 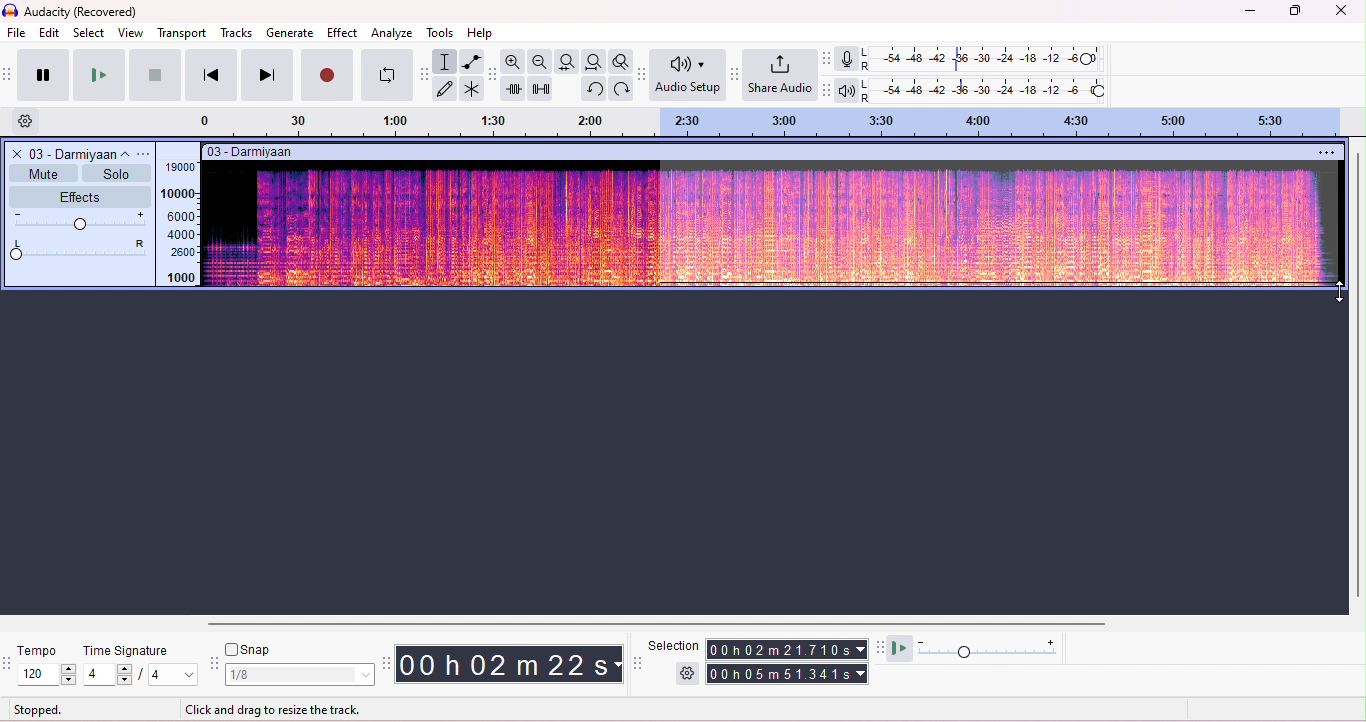 I want to click on title, so click(x=73, y=12).